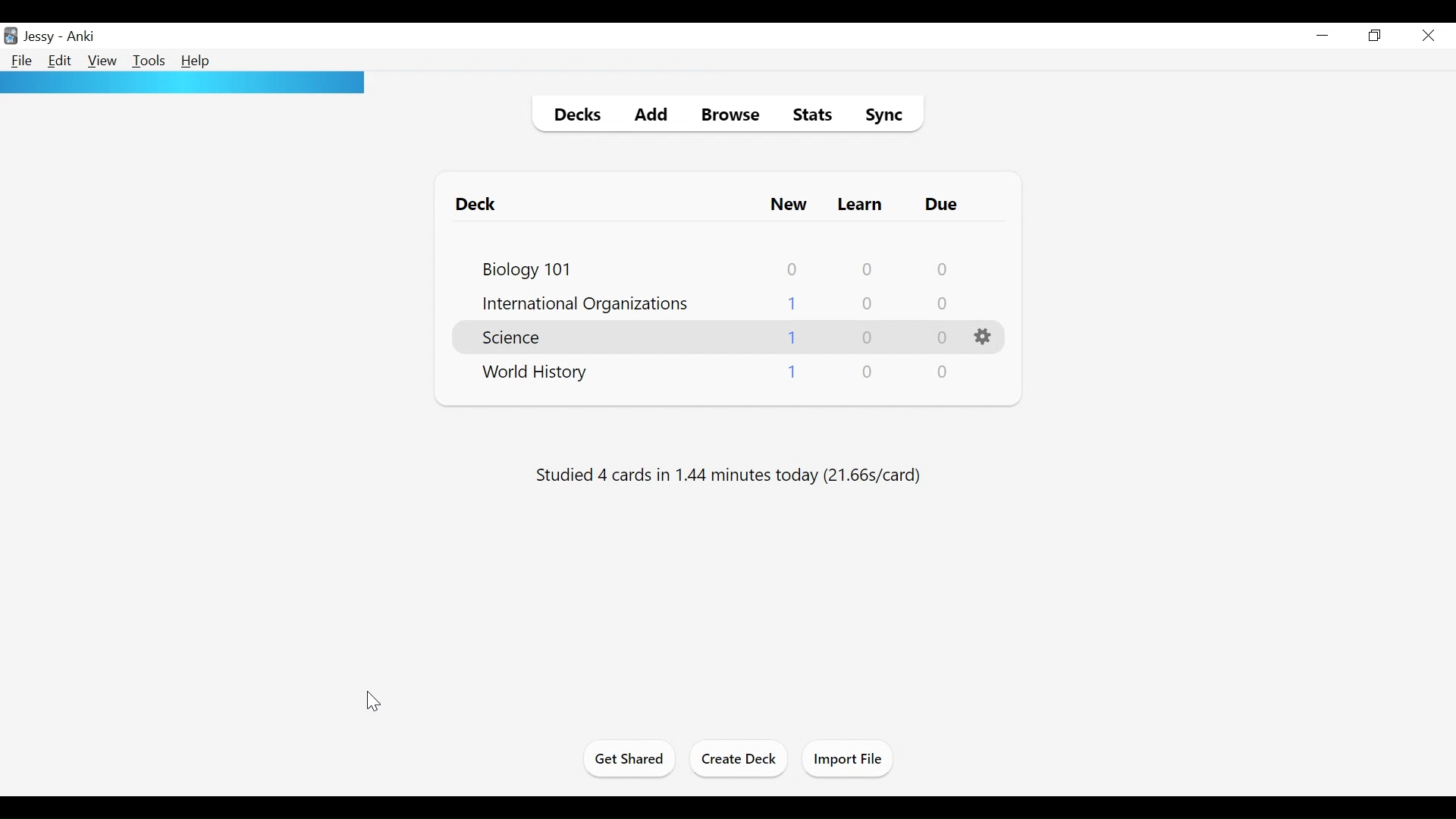  Describe the element at coordinates (943, 303) in the screenshot. I see `Due Cards Count` at that location.